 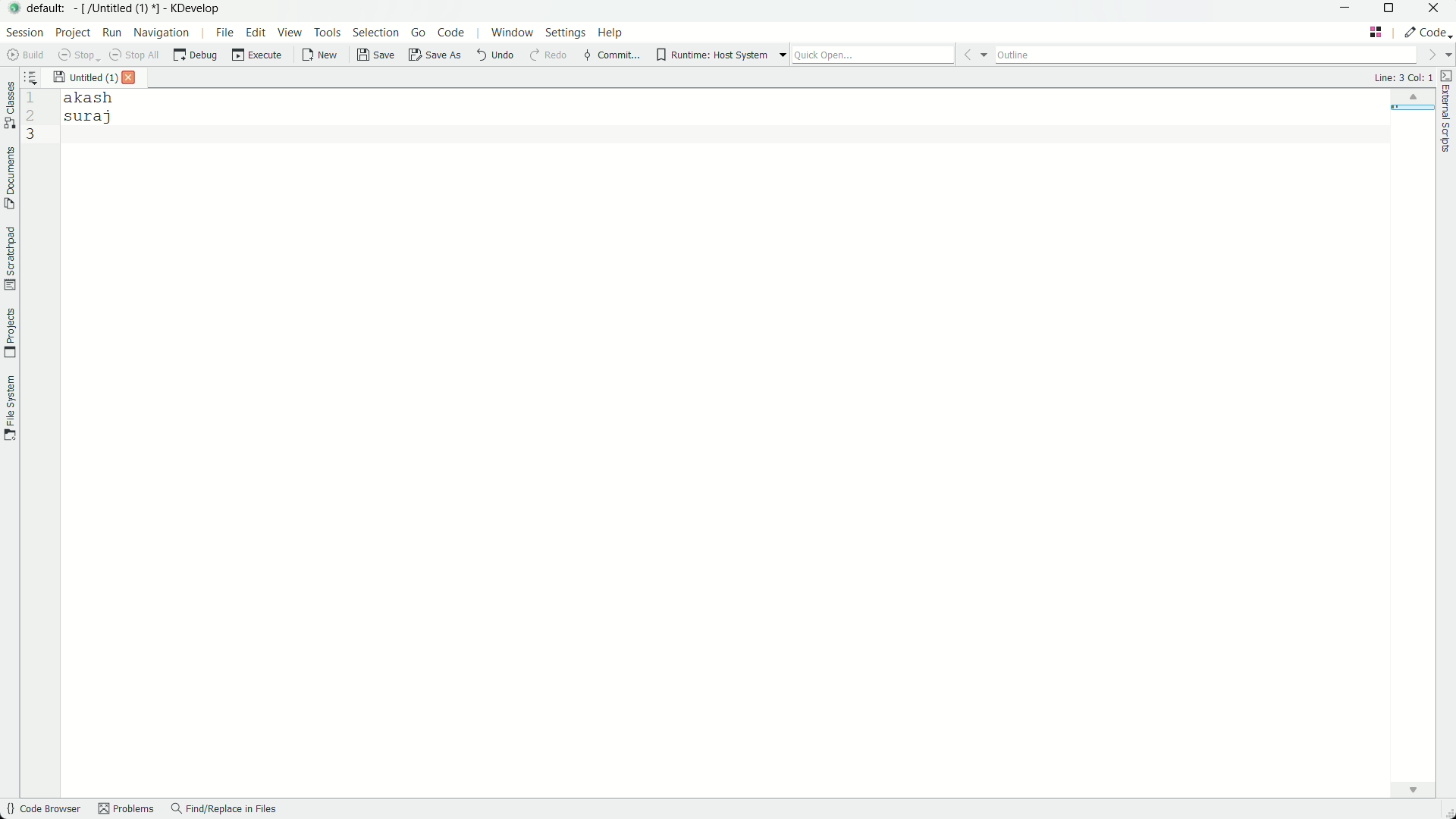 What do you see at coordinates (85, 76) in the screenshot?
I see `file name - untitled 1` at bounding box center [85, 76].